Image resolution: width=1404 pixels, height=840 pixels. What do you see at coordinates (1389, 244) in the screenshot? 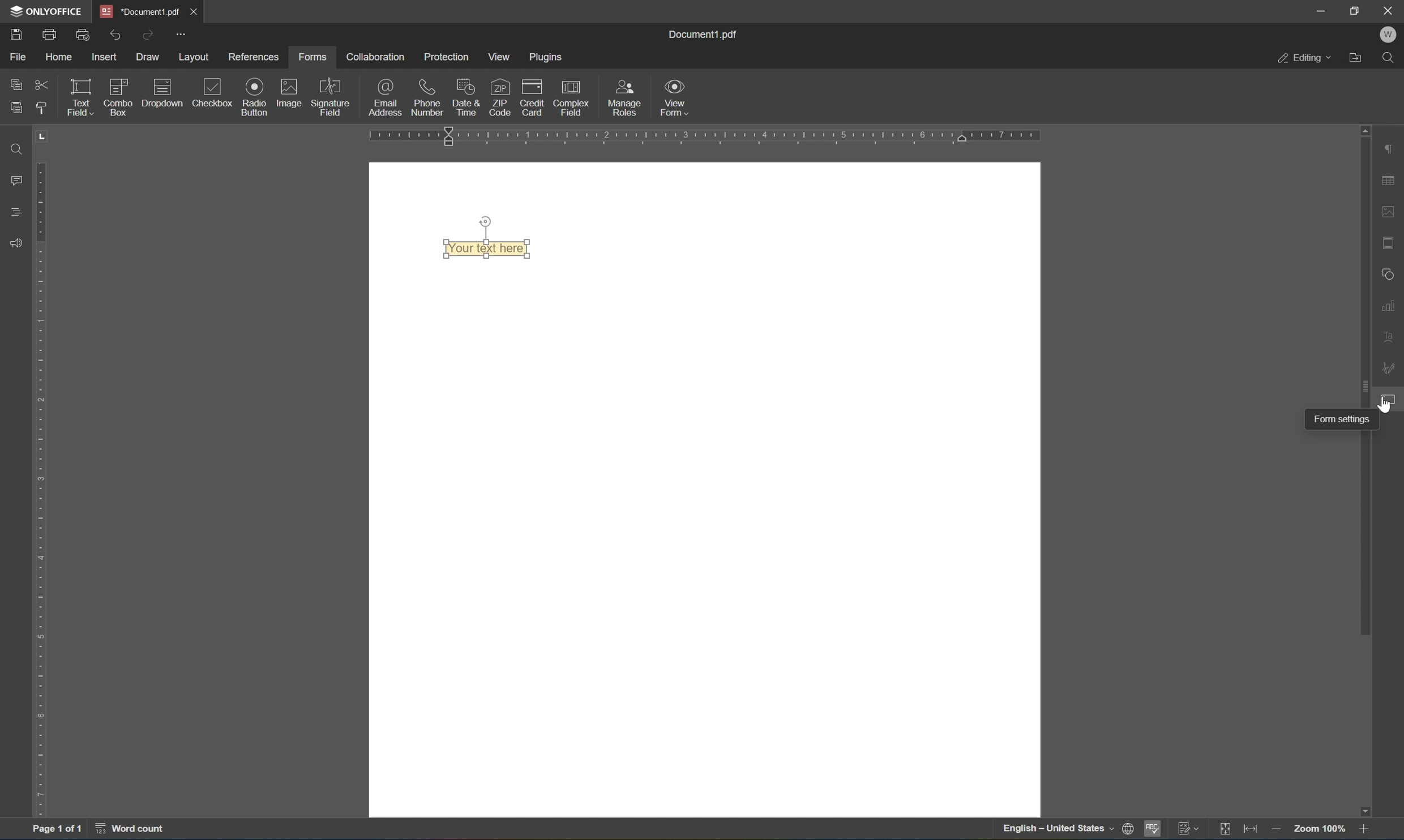
I see `header & footer settings` at bounding box center [1389, 244].